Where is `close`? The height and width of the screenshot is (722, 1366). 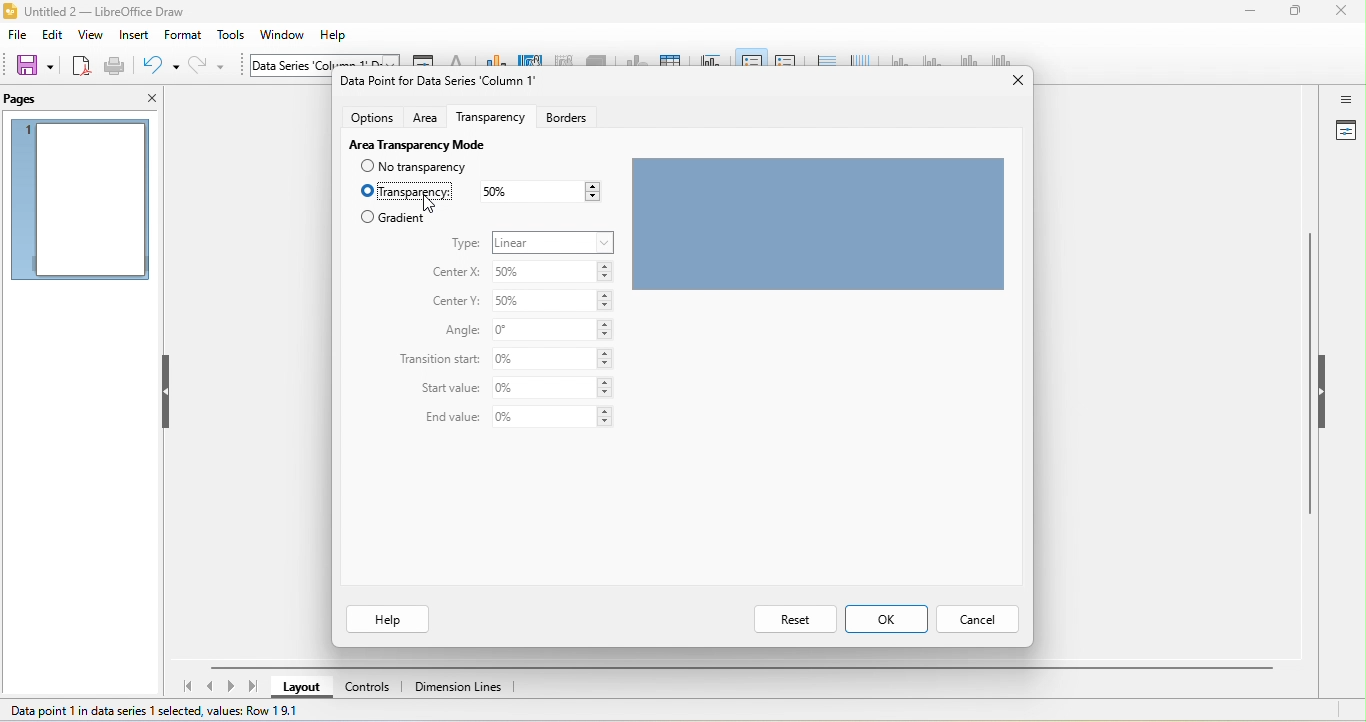
close is located at coordinates (1343, 12).